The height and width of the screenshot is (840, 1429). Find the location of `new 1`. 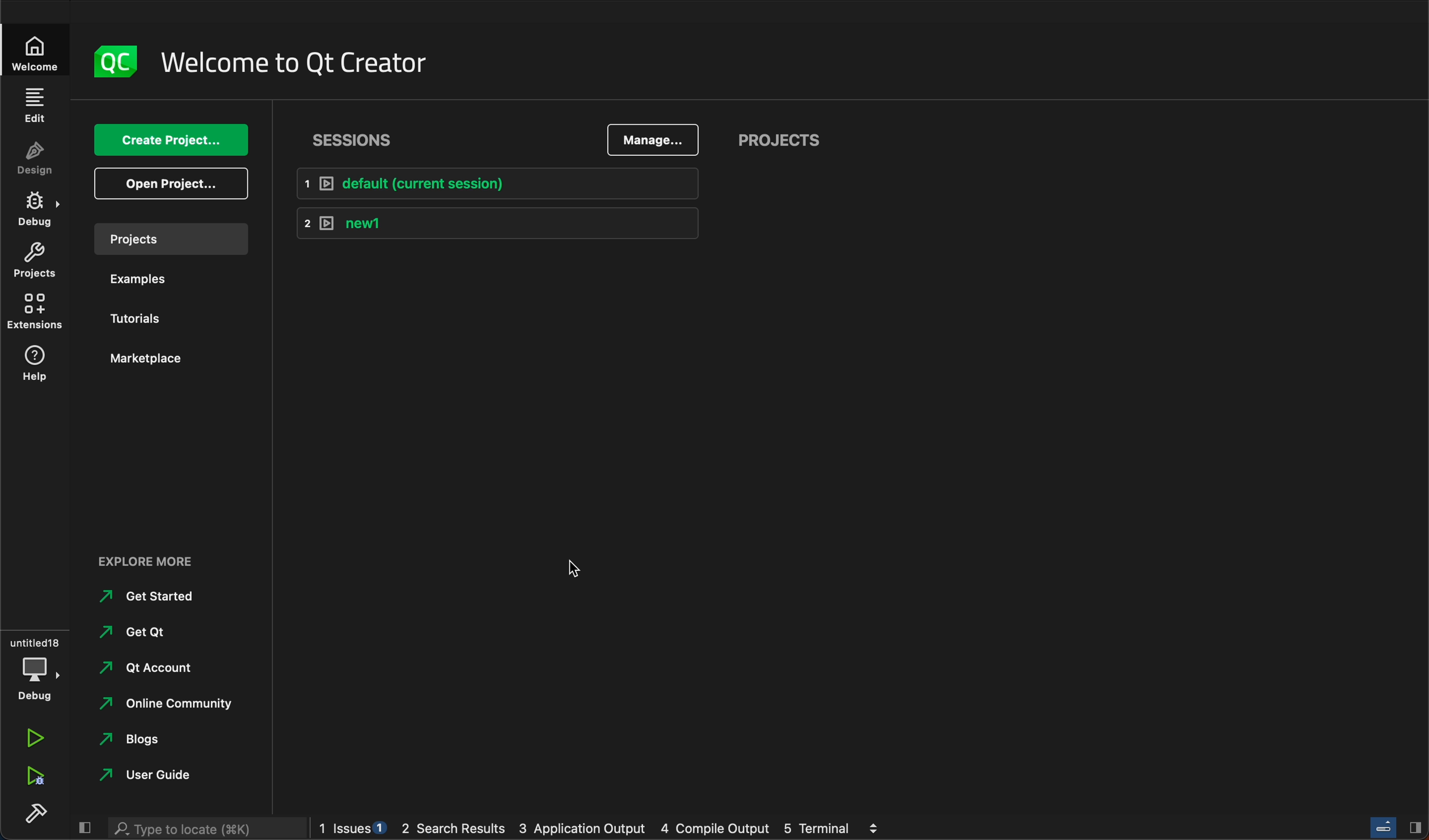

new 1 is located at coordinates (496, 222).